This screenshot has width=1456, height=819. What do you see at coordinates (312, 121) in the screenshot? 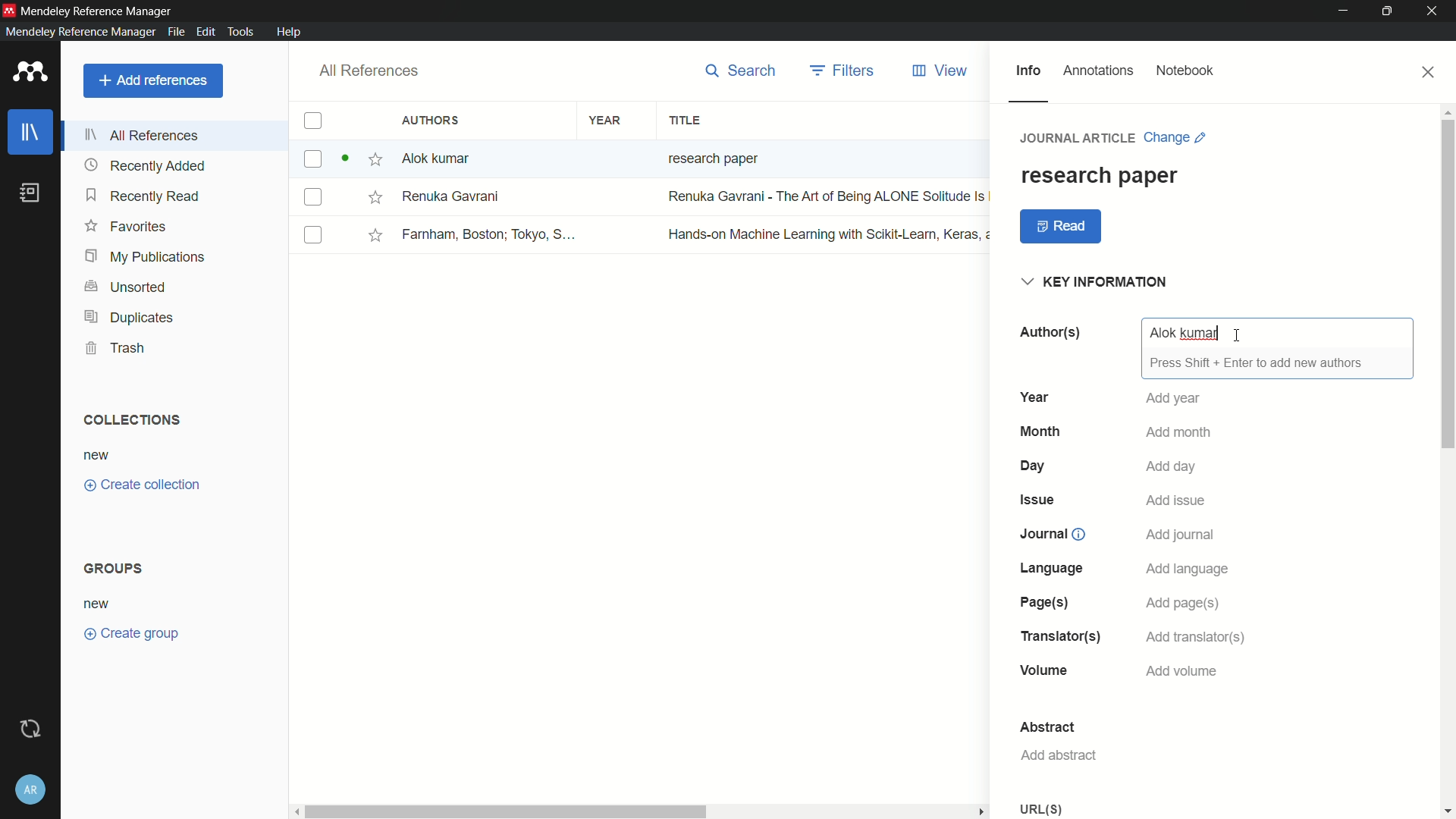
I see `checkbox` at bounding box center [312, 121].